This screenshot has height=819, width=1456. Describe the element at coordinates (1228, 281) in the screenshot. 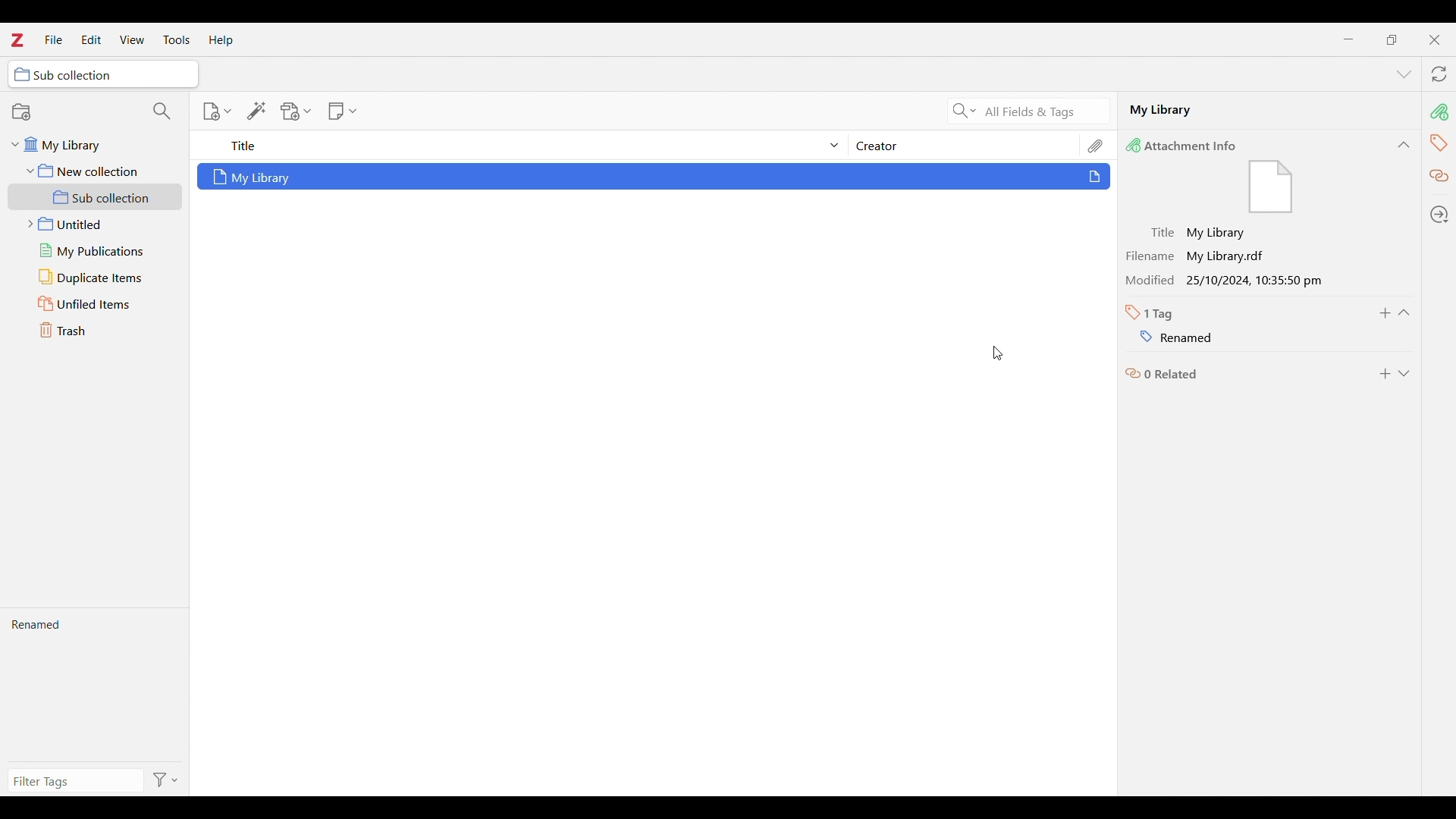

I see `Modified 25/10/2024, 10:35:50 pm` at that location.